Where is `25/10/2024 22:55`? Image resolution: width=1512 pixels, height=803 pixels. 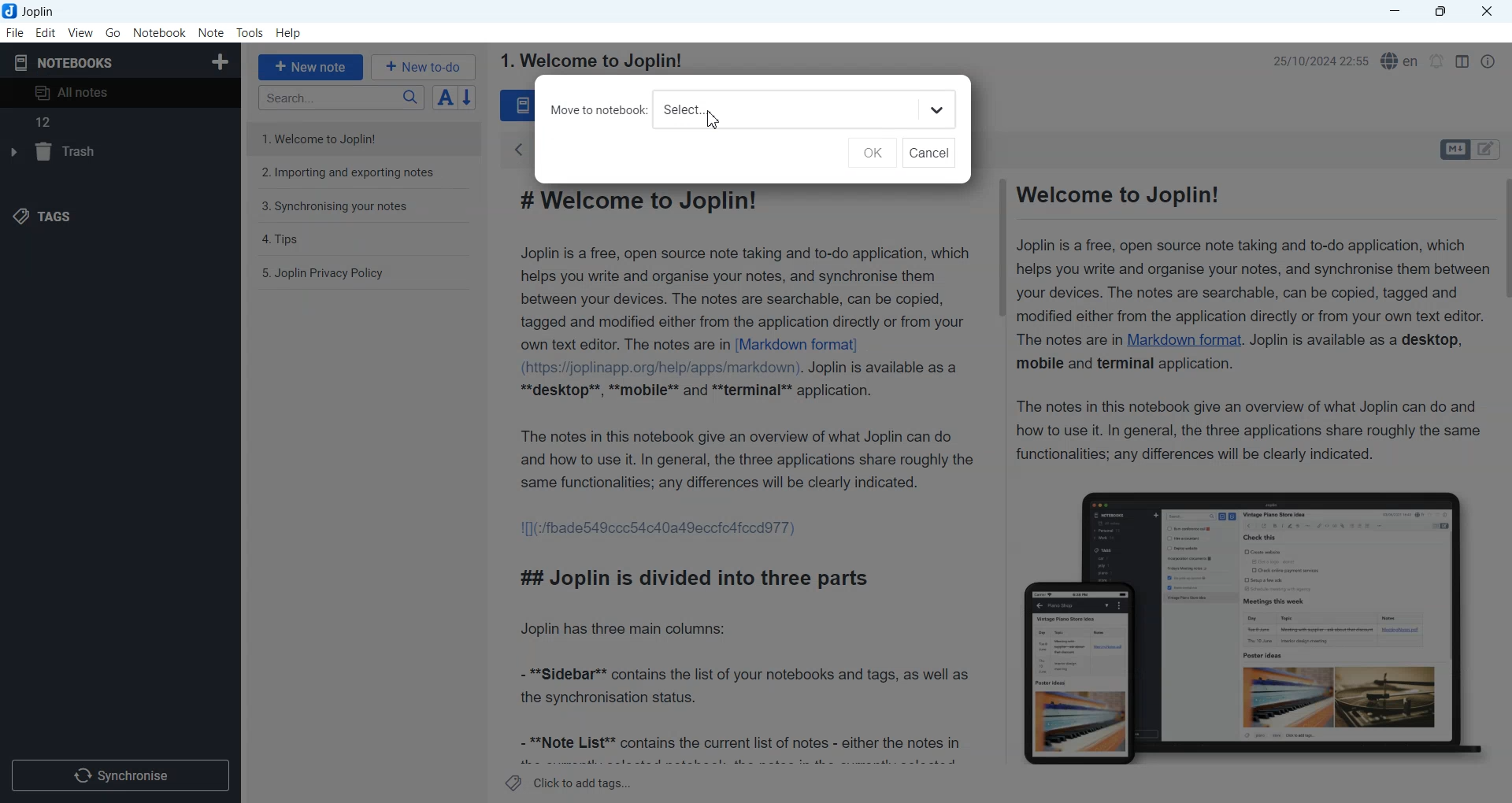
25/10/2024 22:55 is located at coordinates (1315, 61).